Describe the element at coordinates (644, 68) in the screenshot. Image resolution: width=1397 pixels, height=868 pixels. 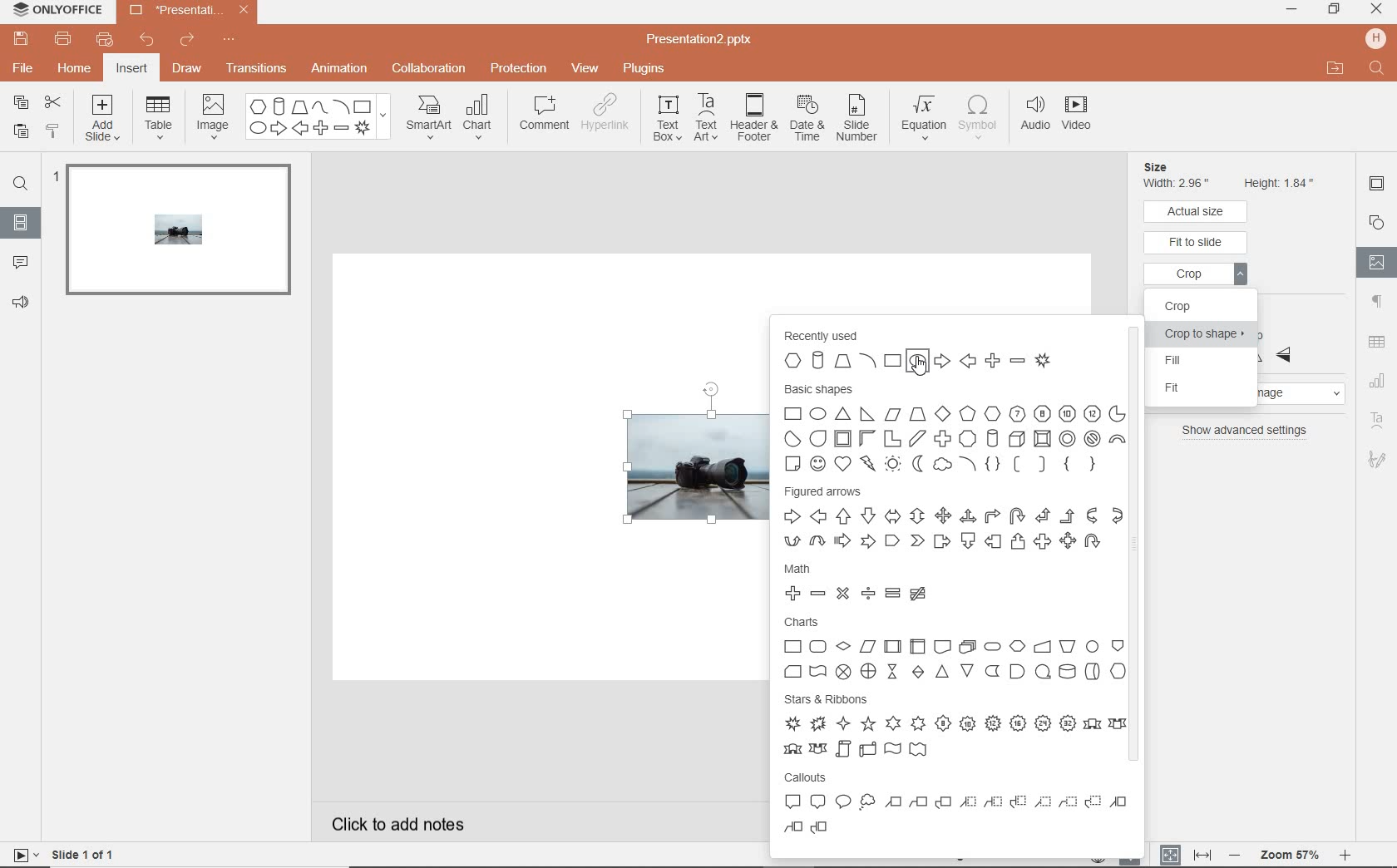
I see `plugins` at that location.